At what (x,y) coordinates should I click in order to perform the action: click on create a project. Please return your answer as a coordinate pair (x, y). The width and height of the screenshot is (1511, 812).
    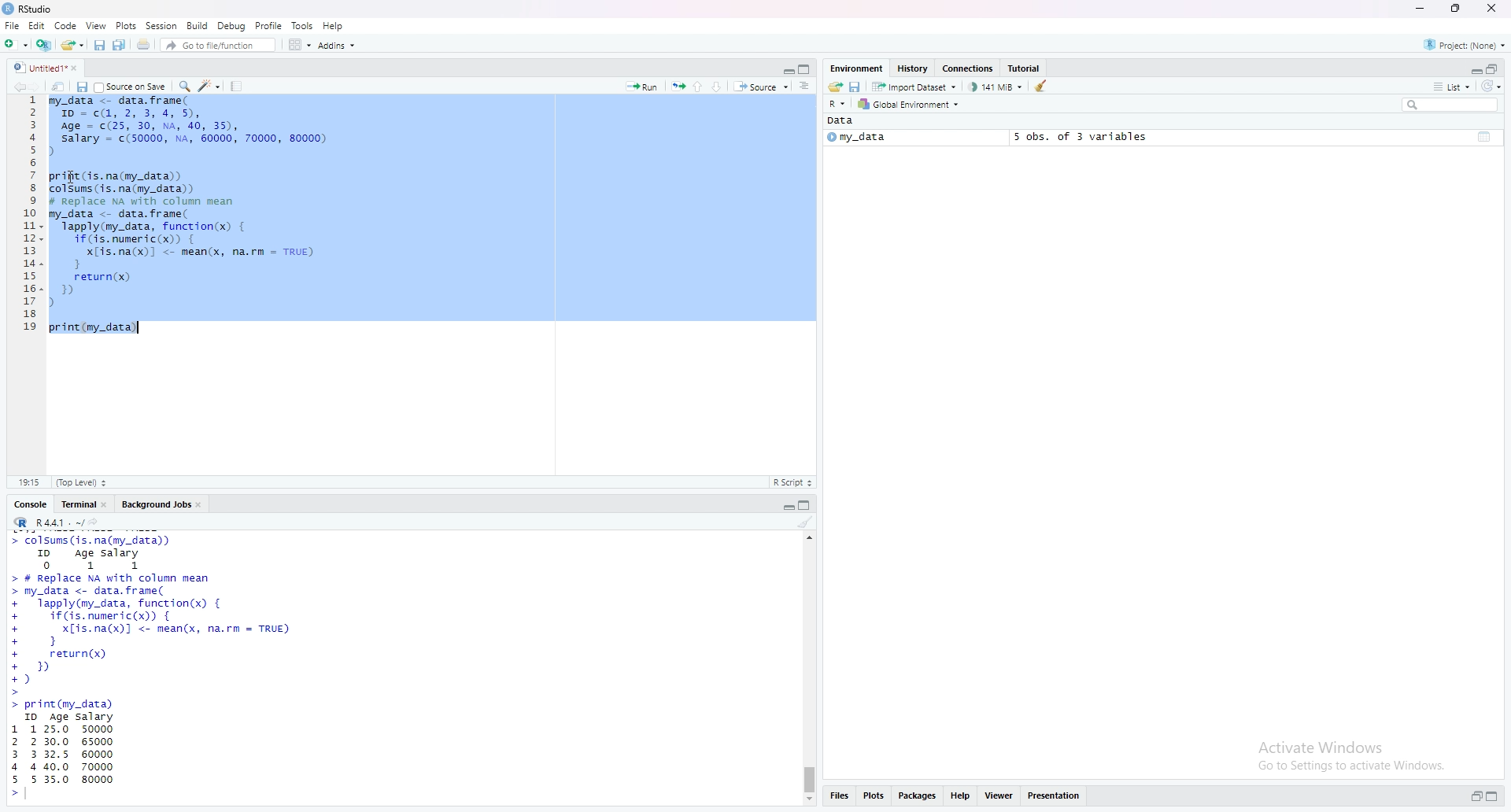
    Looking at the image, I should click on (45, 46).